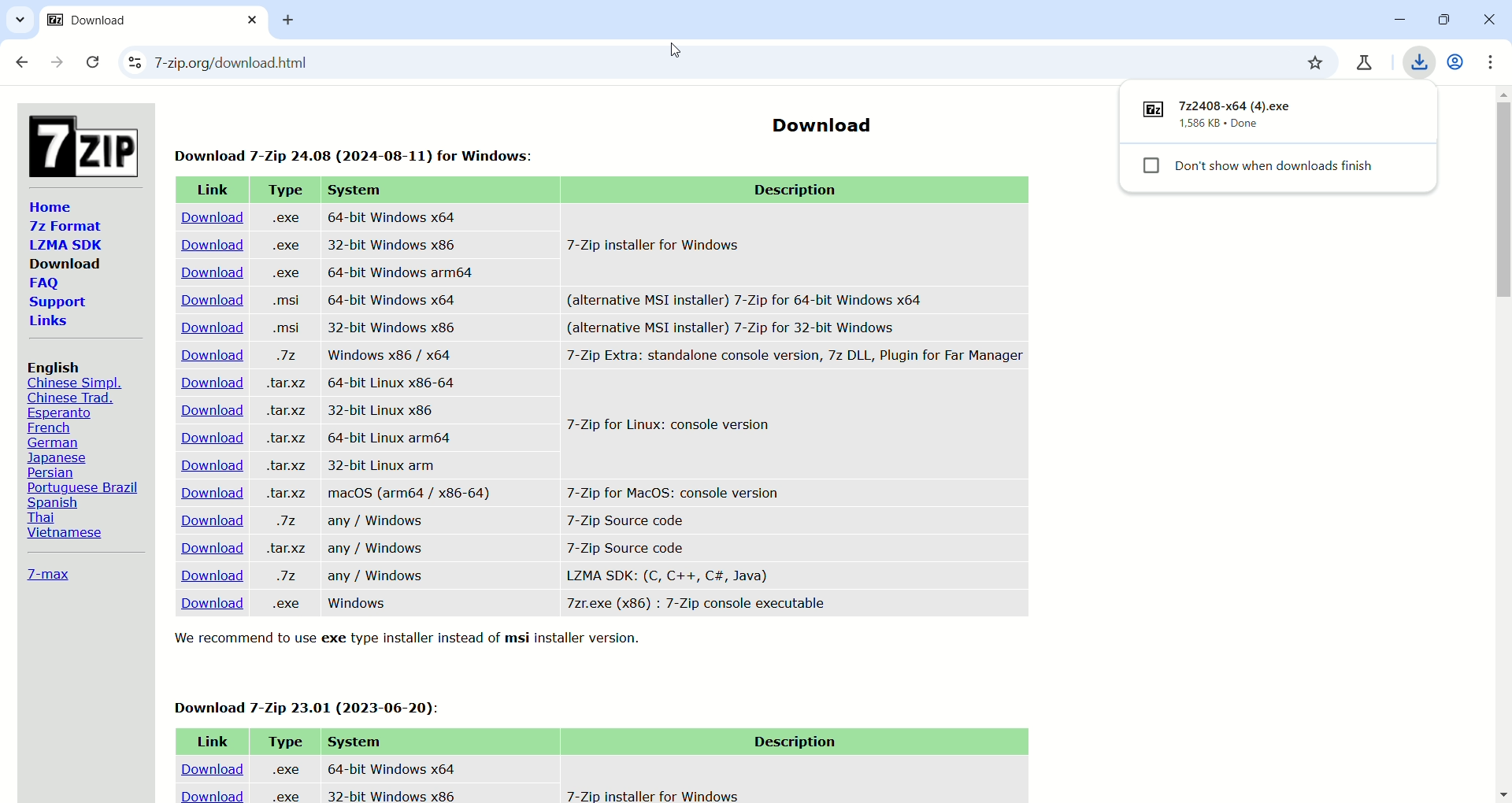 This screenshot has height=803, width=1512. What do you see at coordinates (394, 245) in the screenshot?
I see `32-bit Windows x86` at bounding box center [394, 245].